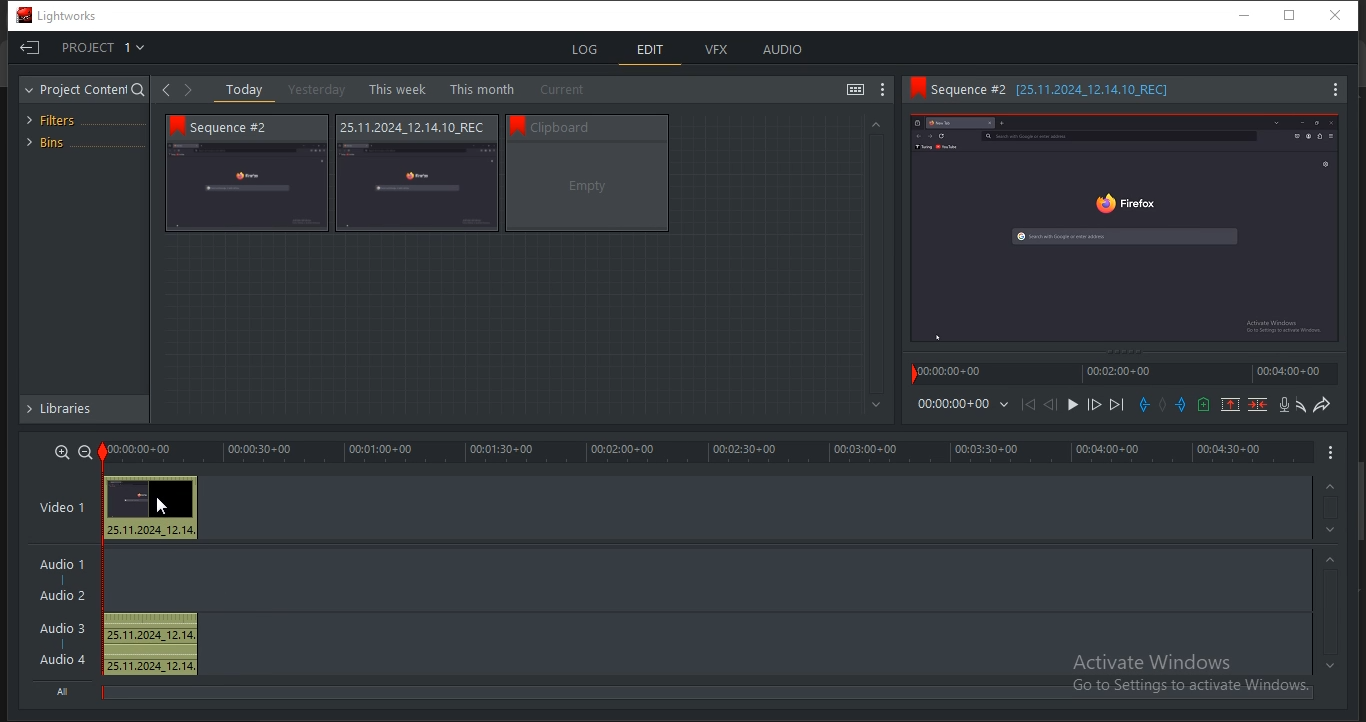 The height and width of the screenshot is (722, 1366). Describe the element at coordinates (1330, 559) in the screenshot. I see `timeline navigation up arrow` at that location.